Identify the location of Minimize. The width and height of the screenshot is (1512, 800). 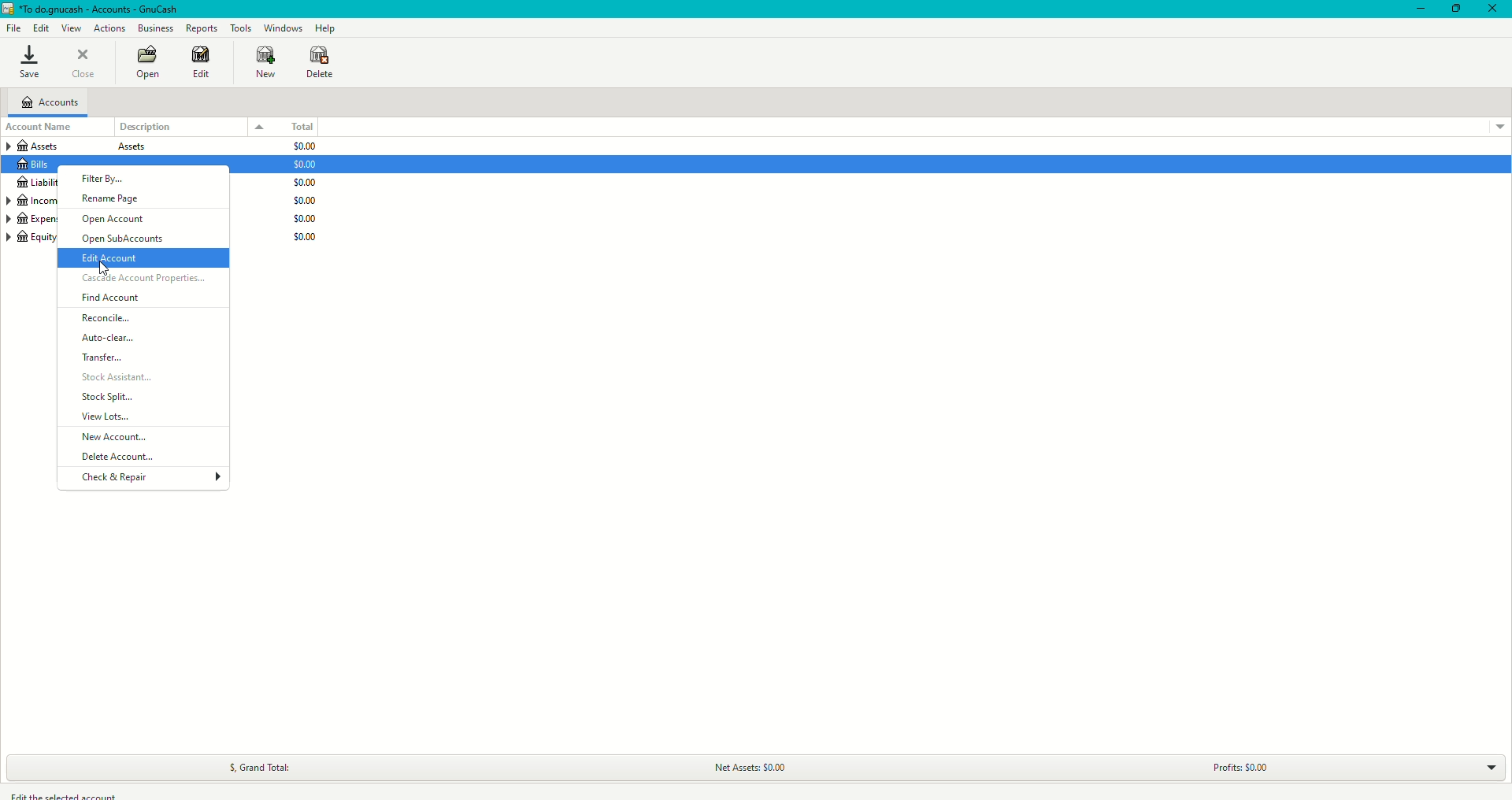
(1417, 10).